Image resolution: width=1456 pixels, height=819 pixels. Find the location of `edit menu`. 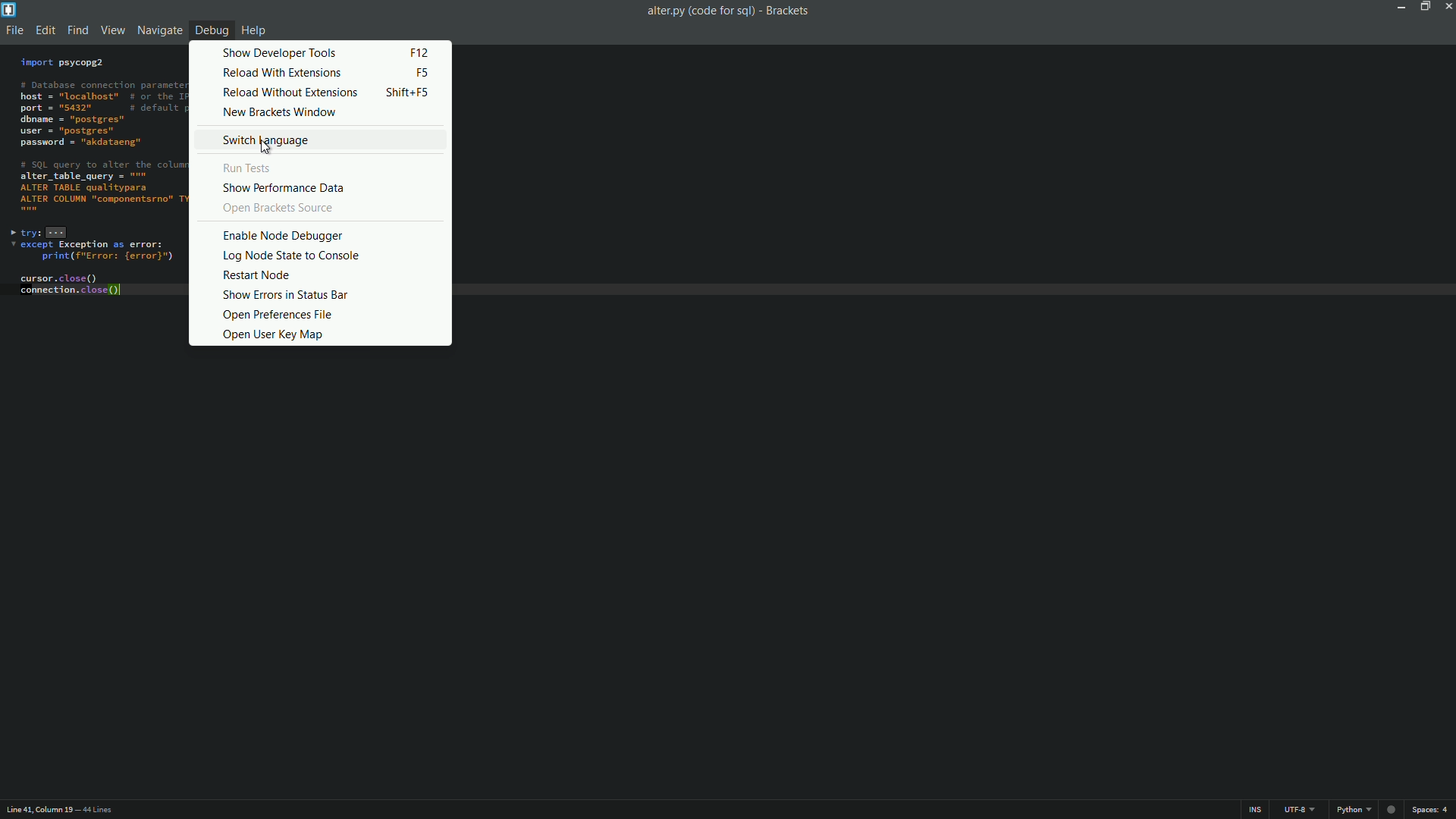

edit menu is located at coordinates (45, 30).